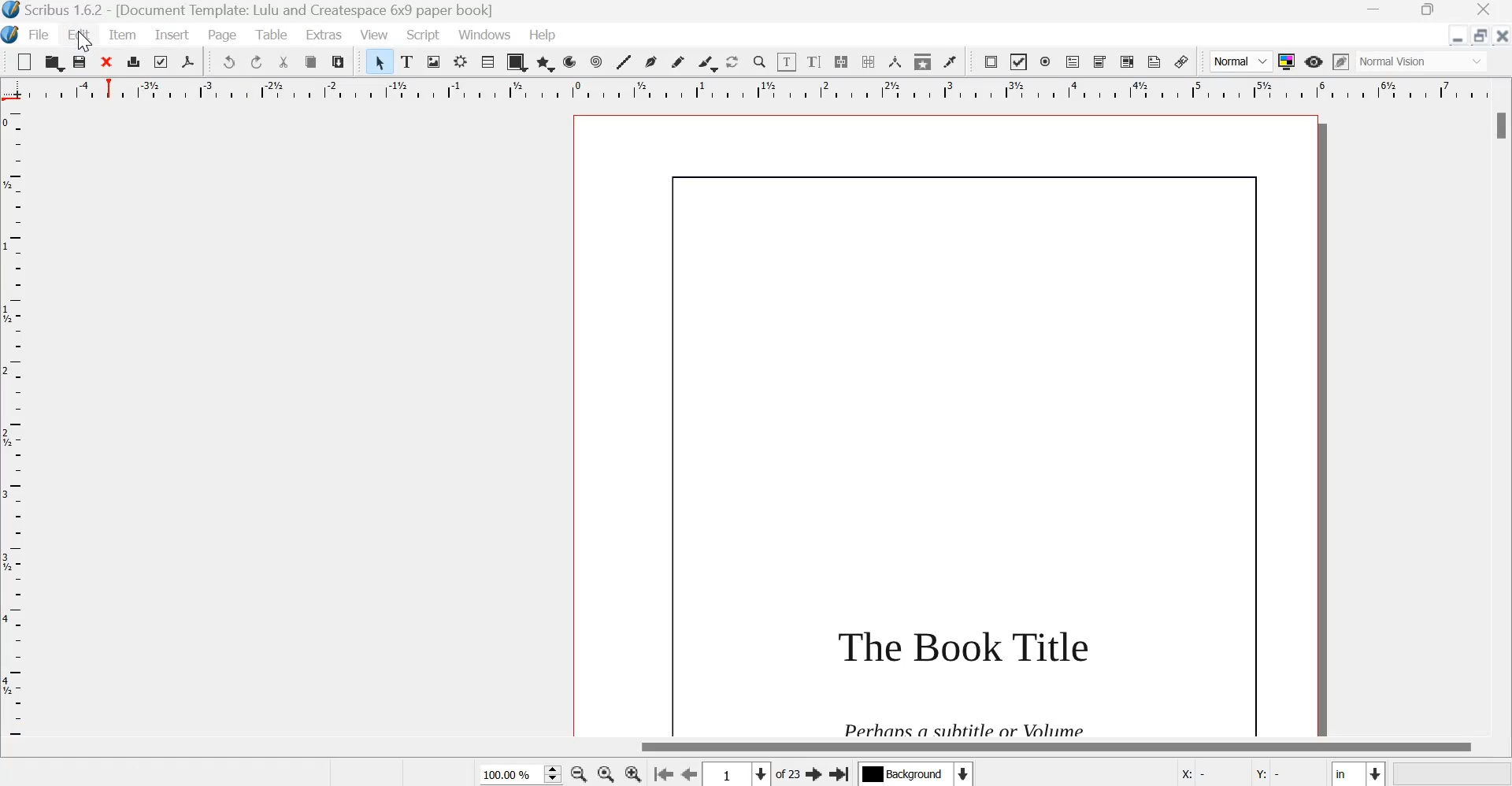  I want to click on cursor, so click(86, 42).